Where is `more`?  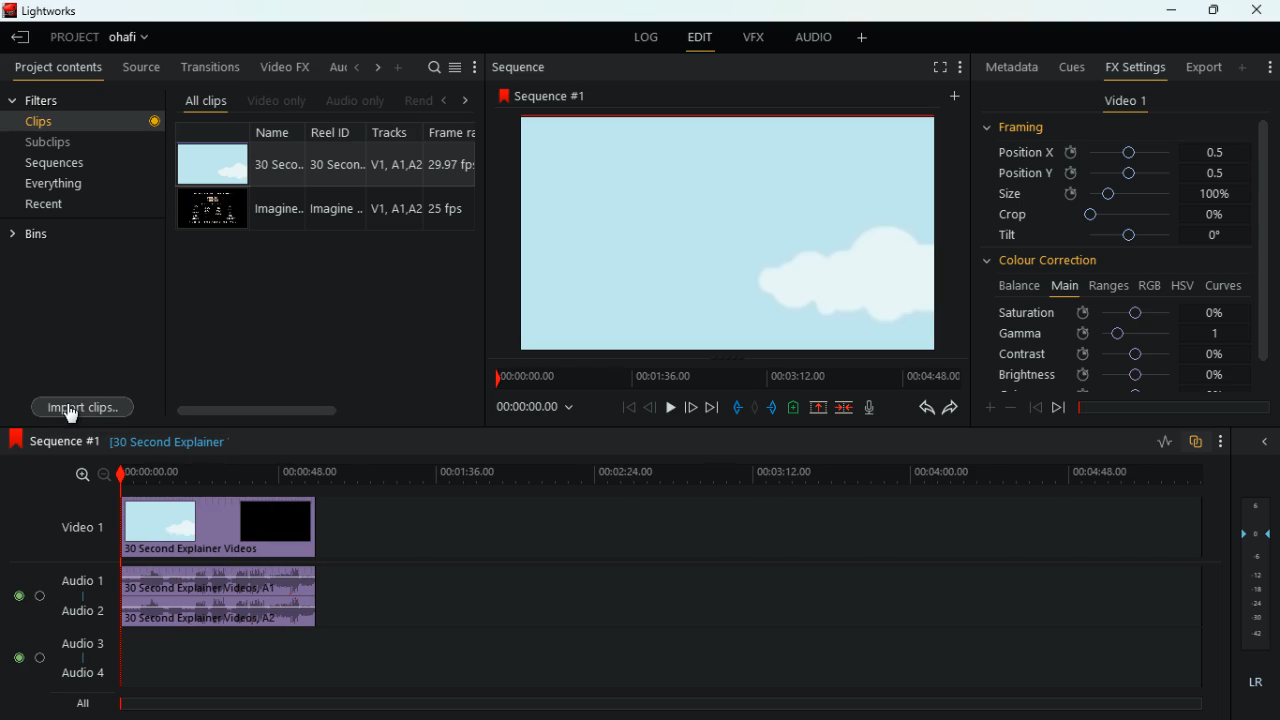
more is located at coordinates (866, 39).